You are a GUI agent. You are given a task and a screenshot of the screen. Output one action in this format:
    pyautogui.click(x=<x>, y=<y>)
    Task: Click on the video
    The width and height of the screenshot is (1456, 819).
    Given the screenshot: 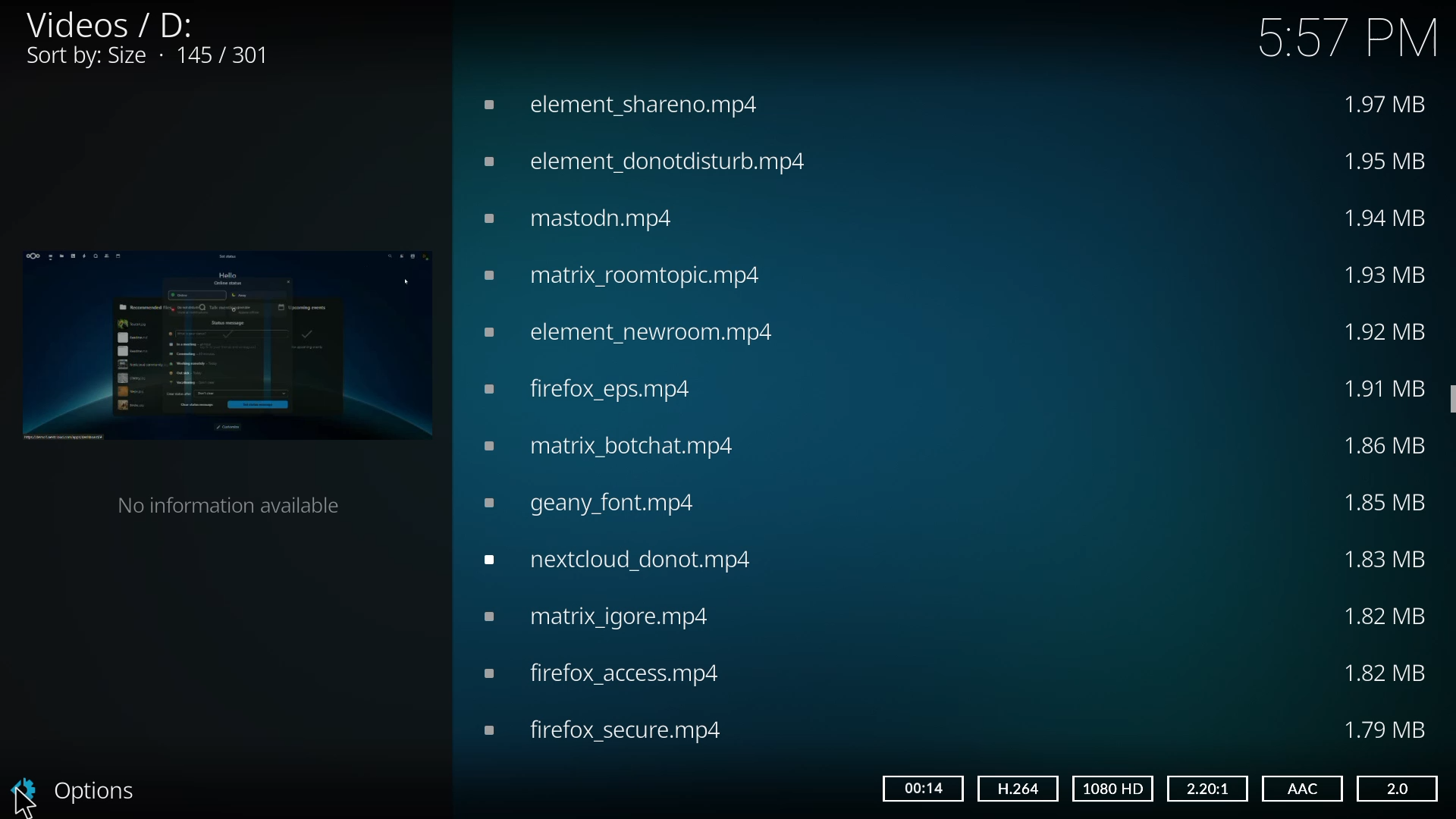 What is the action you would take?
    pyautogui.click(x=601, y=673)
    